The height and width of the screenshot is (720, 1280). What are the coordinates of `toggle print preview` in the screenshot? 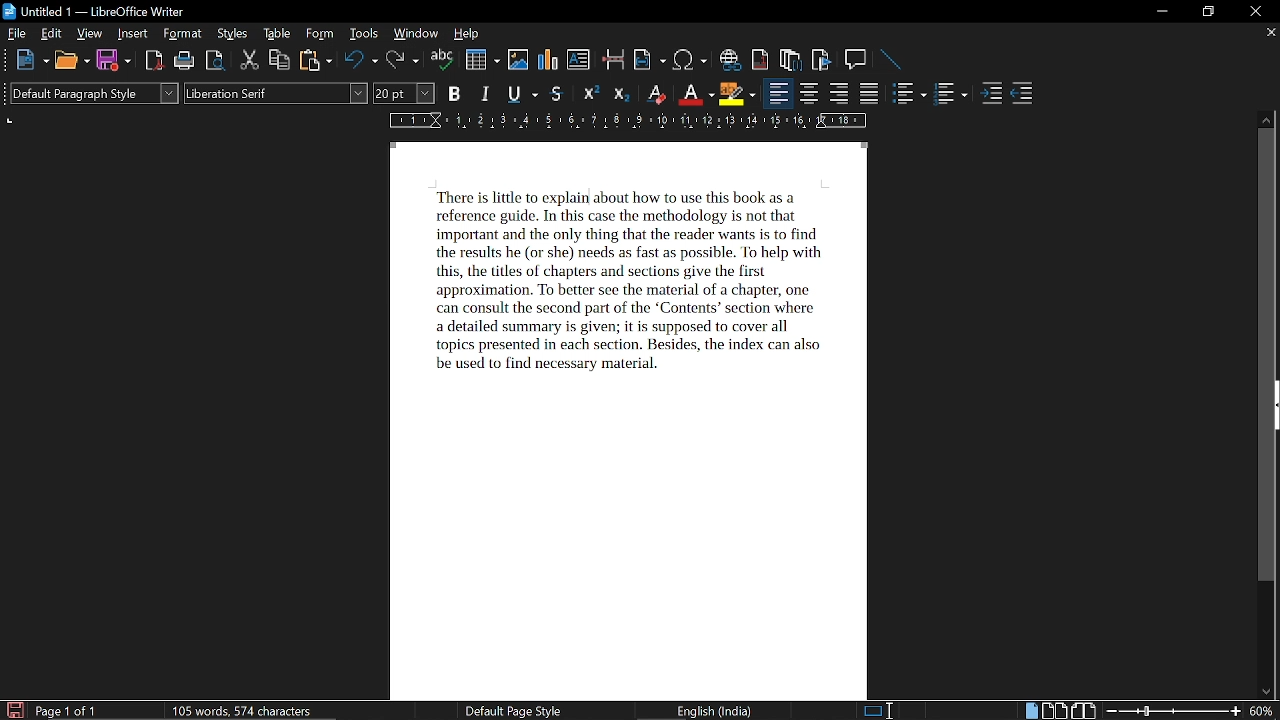 It's located at (216, 62).